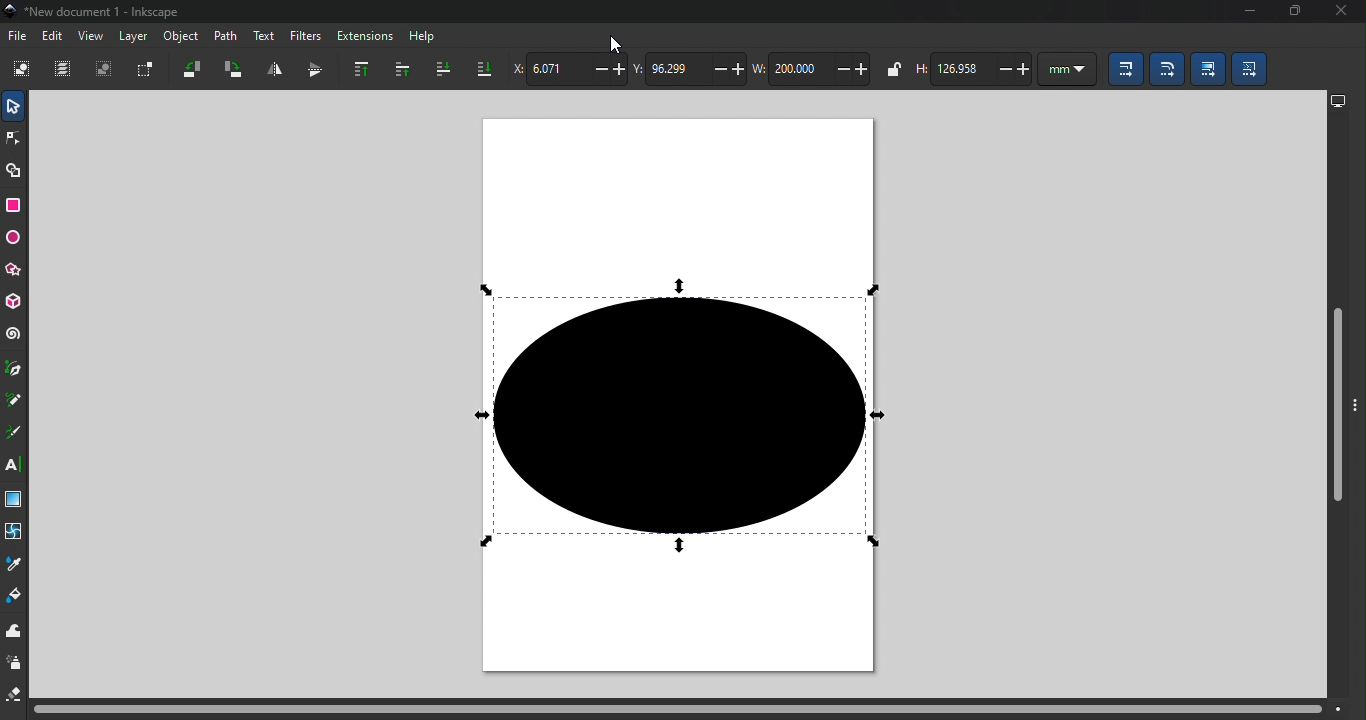  What do you see at coordinates (93, 35) in the screenshot?
I see `View` at bounding box center [93, 35].